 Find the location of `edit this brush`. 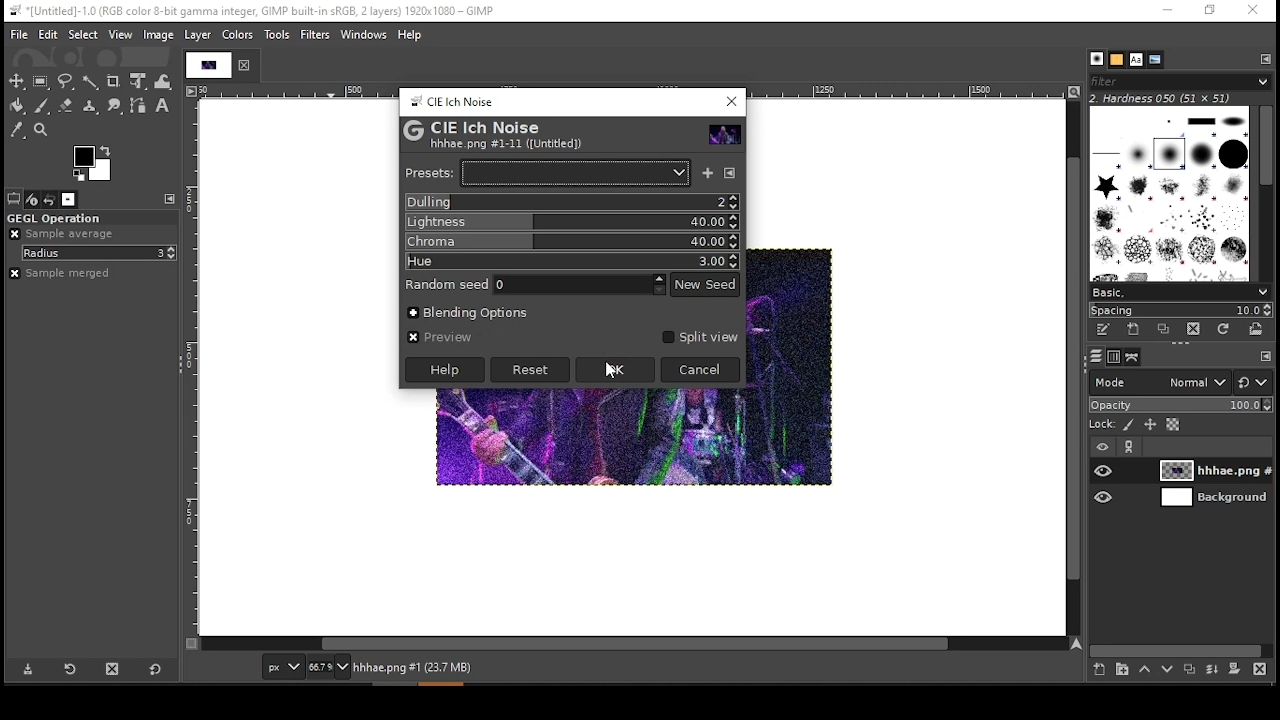

edit this brush is located at coordinates (1107, 332).